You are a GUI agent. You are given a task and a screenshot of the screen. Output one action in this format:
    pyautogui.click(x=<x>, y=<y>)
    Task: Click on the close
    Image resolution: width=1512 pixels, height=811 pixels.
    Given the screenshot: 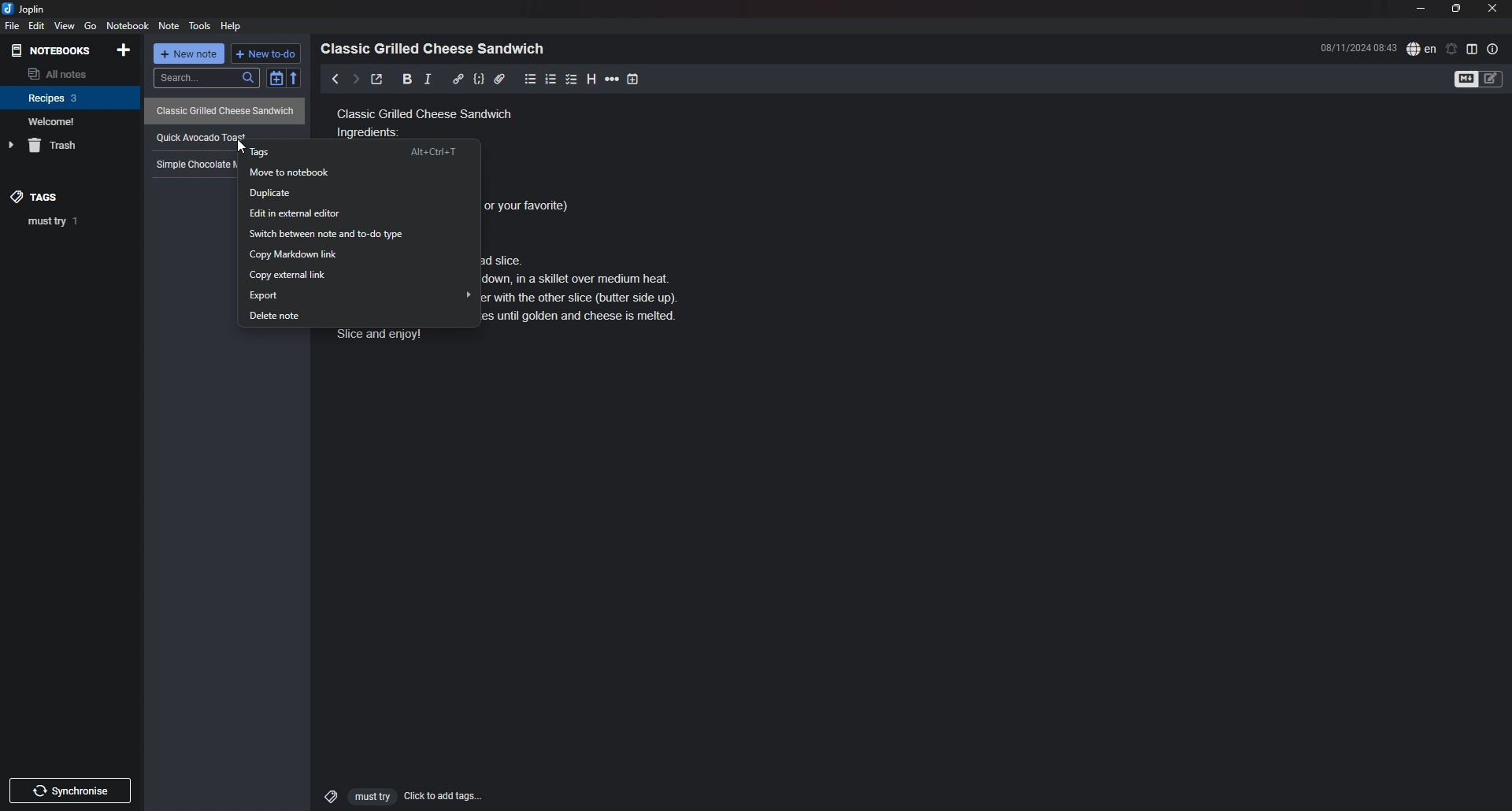 What is the action you would take?
    pyautogui.click(x=1494, y=8)
    